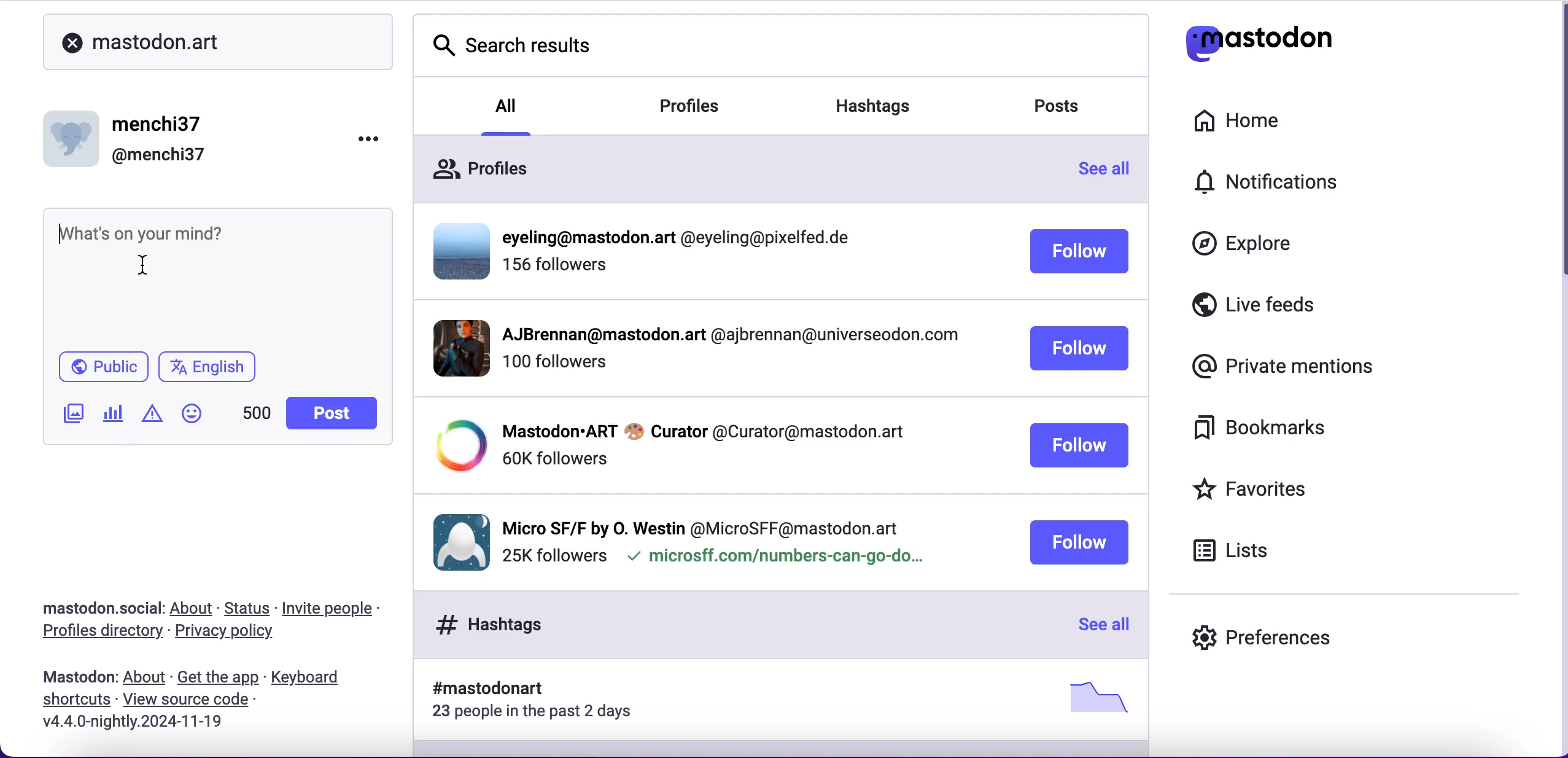 The image size is (1568, 758). What do you see at coordinates (197, 700) in the screenshot?
I see `view source code` at bounding box center [197, 700].